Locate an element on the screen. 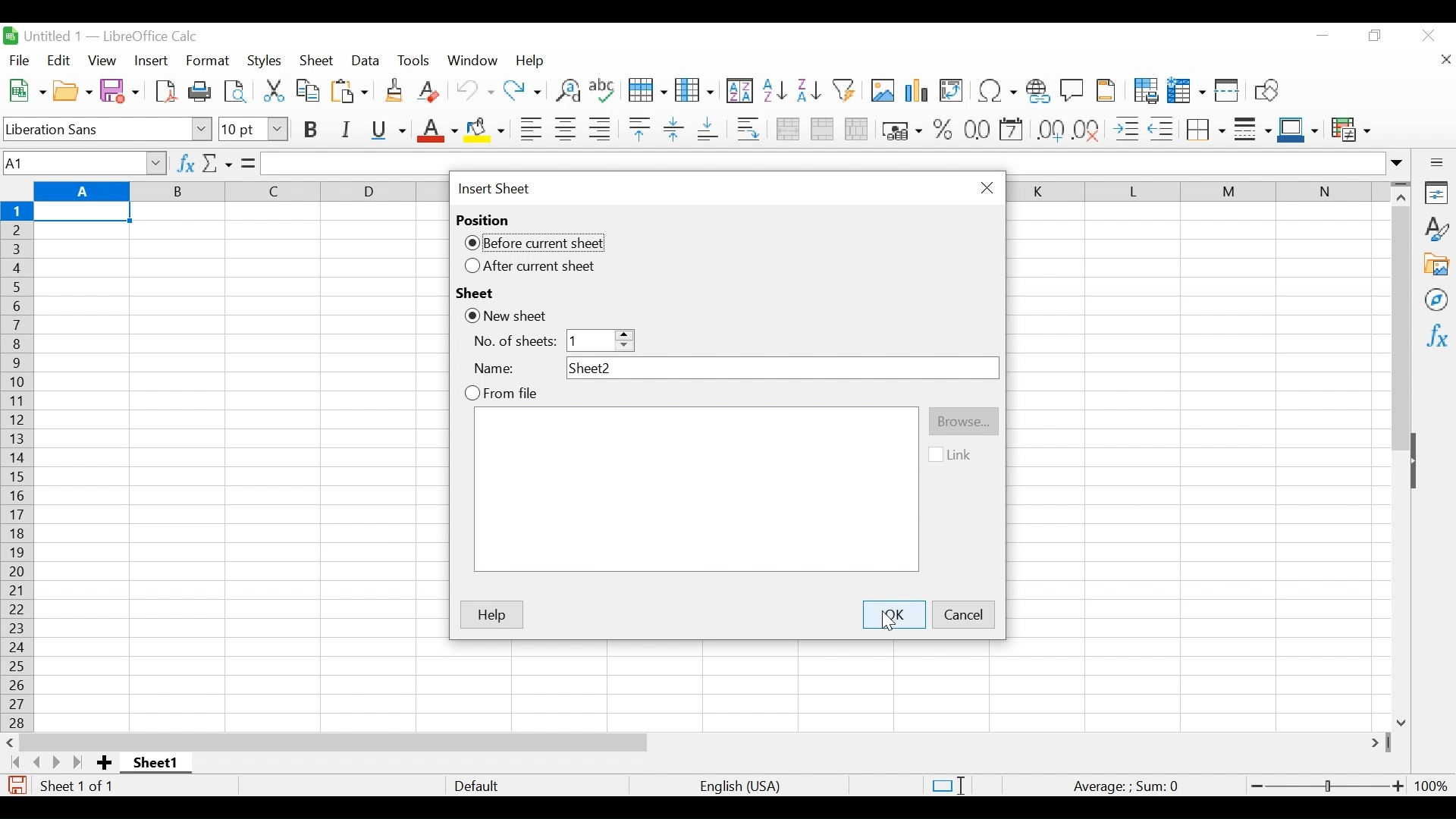  Underline is located at coordinates (388, 130).